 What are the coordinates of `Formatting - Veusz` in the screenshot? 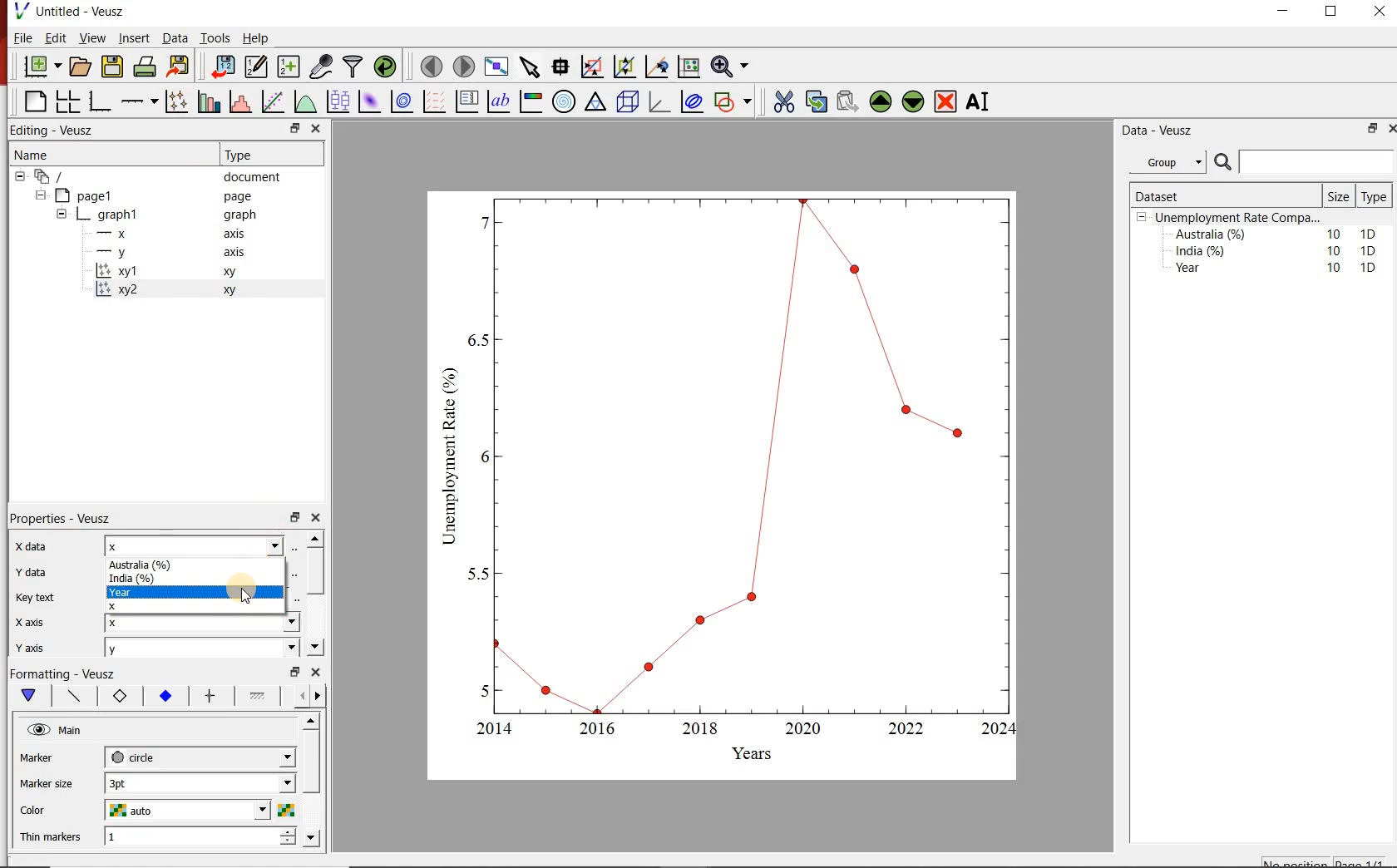 It's located at (62, 672).